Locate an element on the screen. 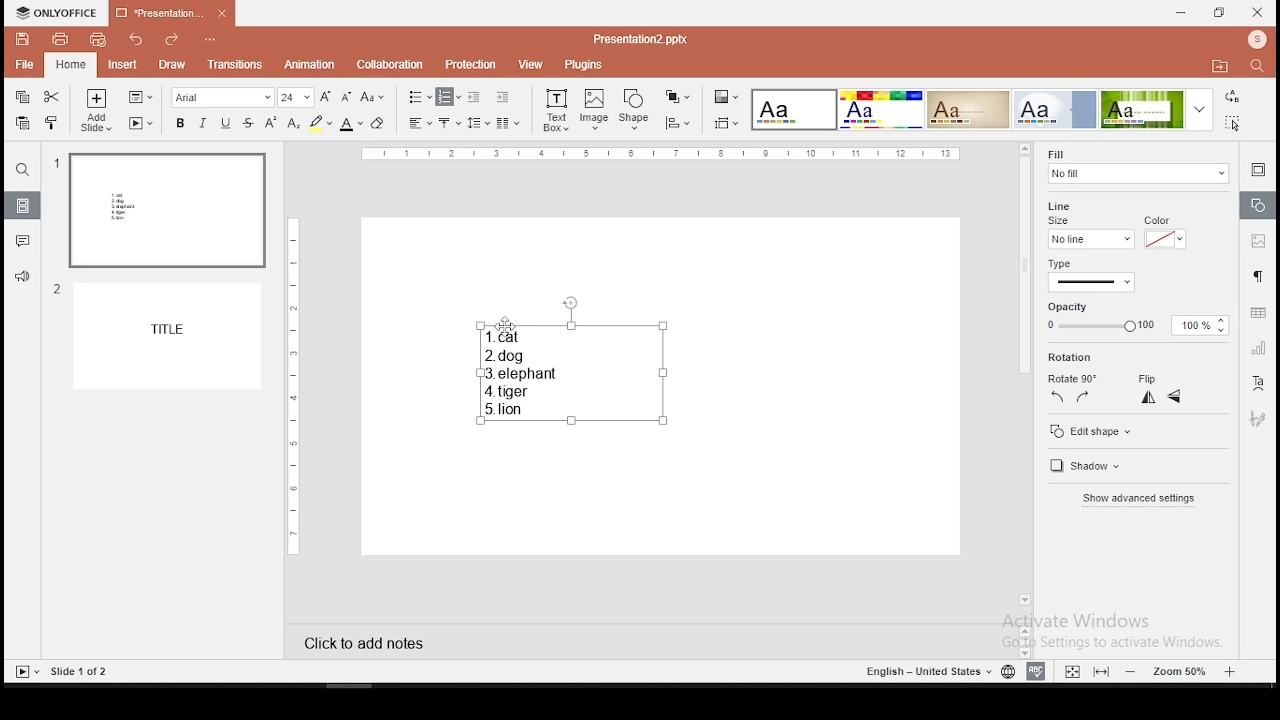 This screenshot has width=1280, height=720. line type is located at coordinates (1092, 282).